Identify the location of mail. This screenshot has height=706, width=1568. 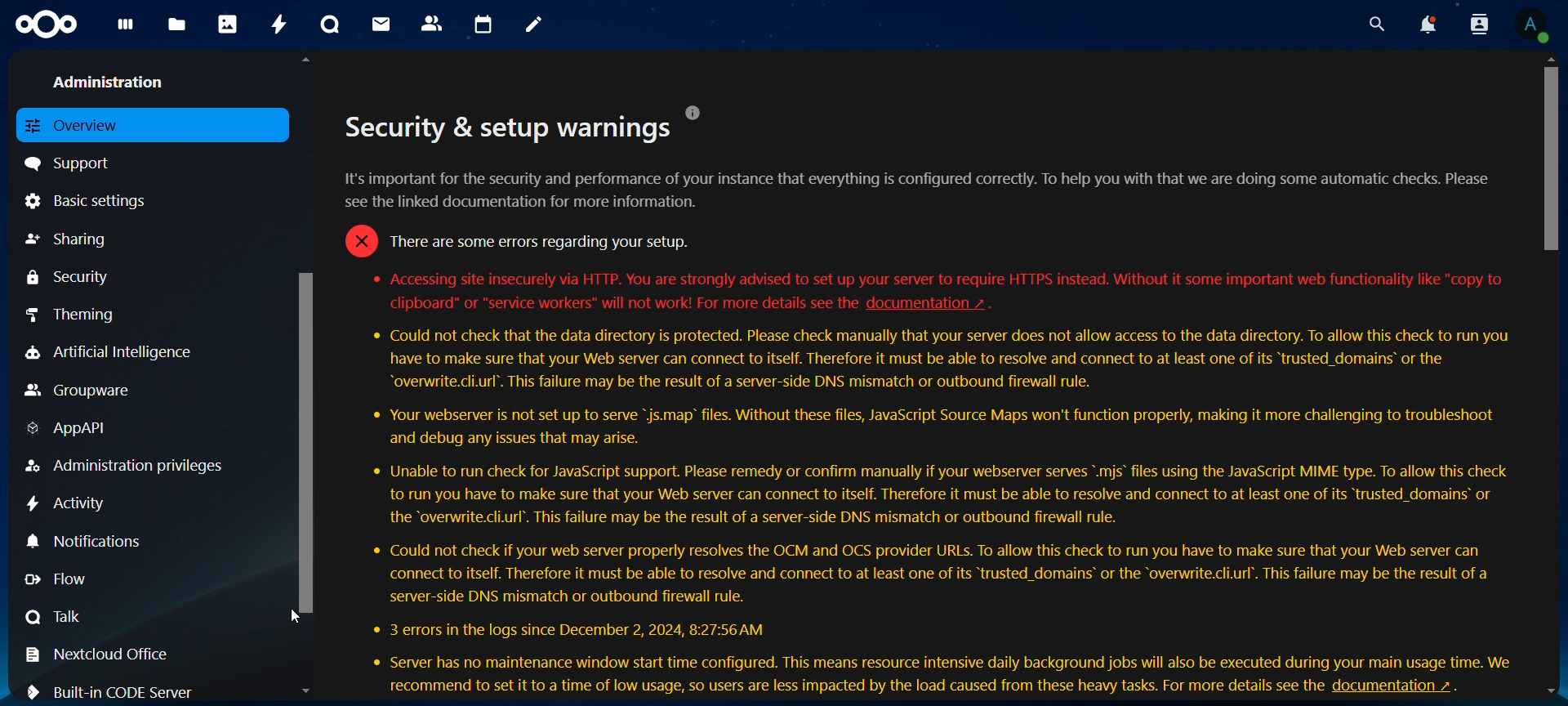
(383, 24).